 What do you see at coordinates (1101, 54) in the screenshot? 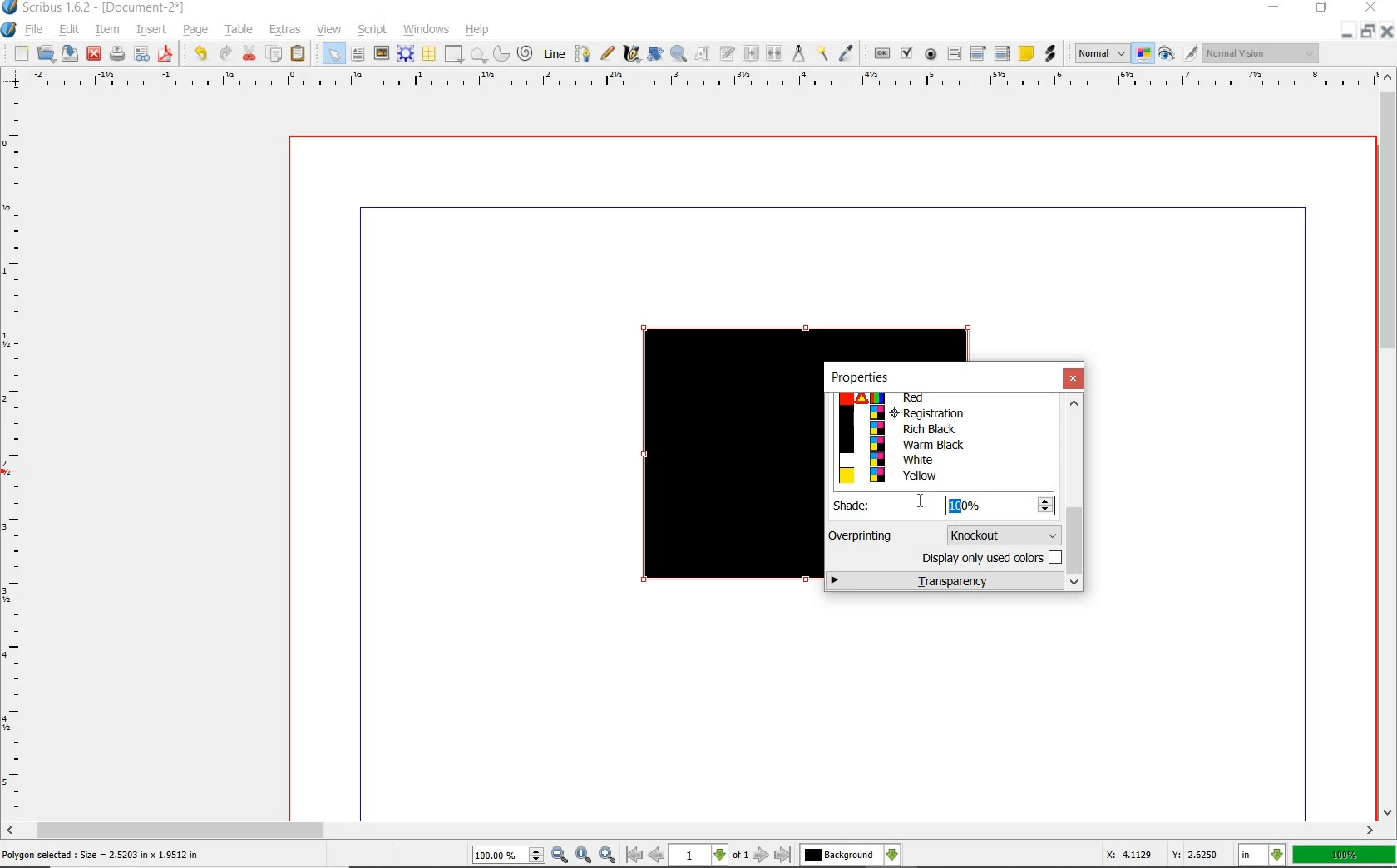
I see `image preview quality` at bounding box center [1101, 54].